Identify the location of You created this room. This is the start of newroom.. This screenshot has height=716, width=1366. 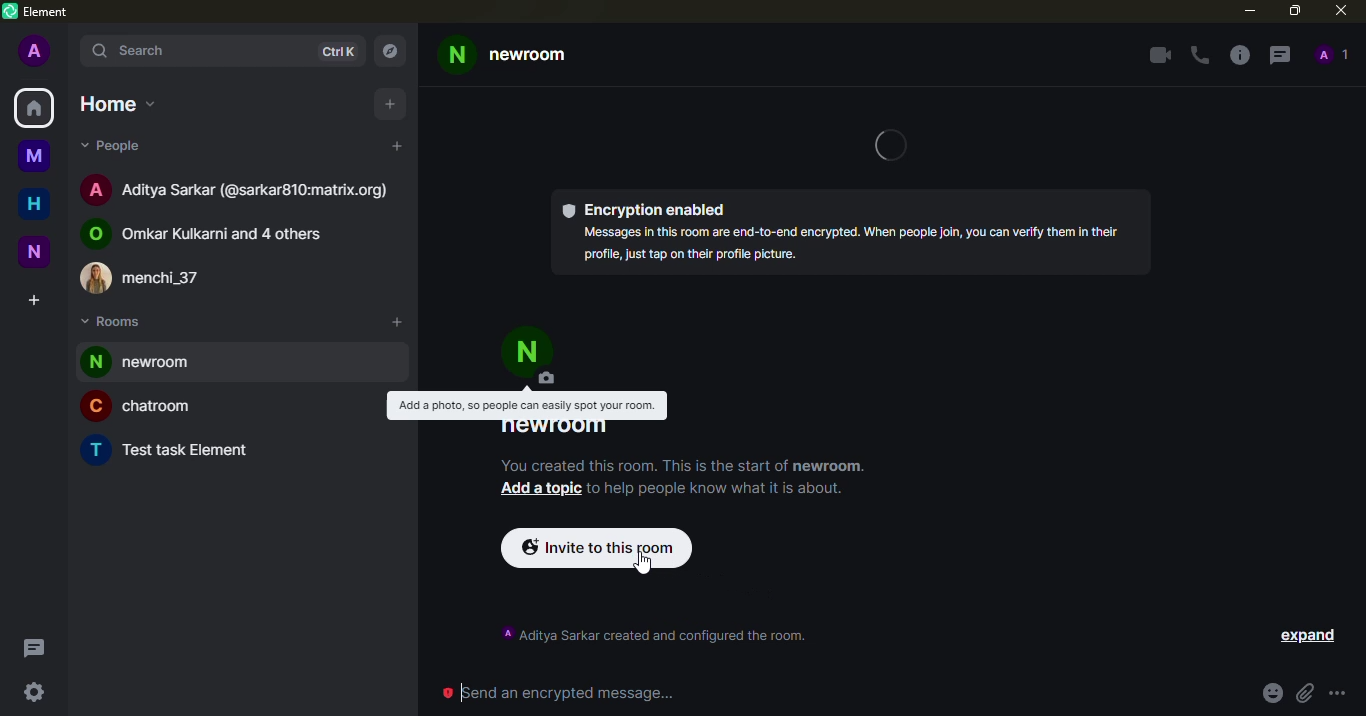
(680, 466).